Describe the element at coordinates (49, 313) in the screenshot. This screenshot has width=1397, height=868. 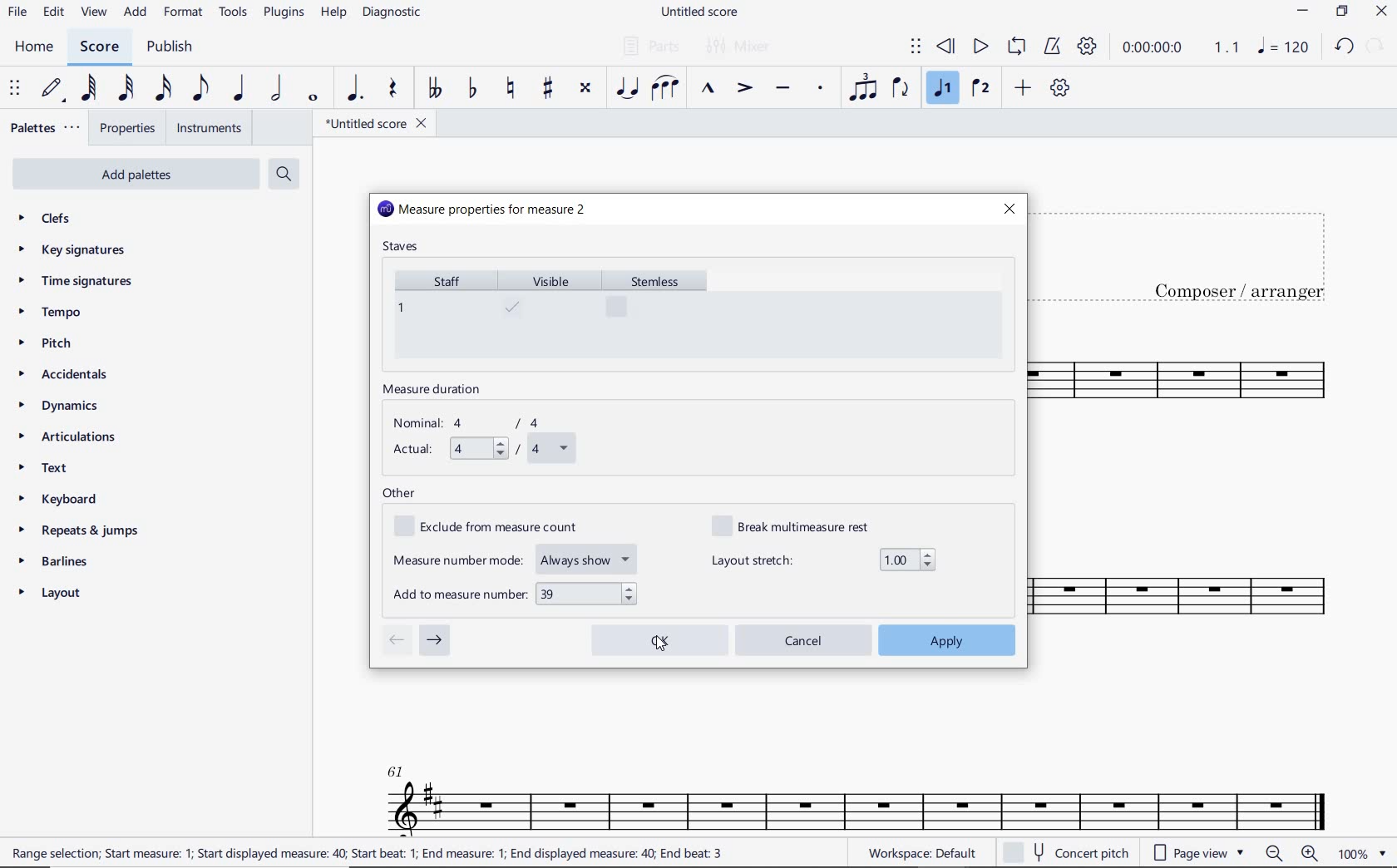
I see `TEMPO` at that location.